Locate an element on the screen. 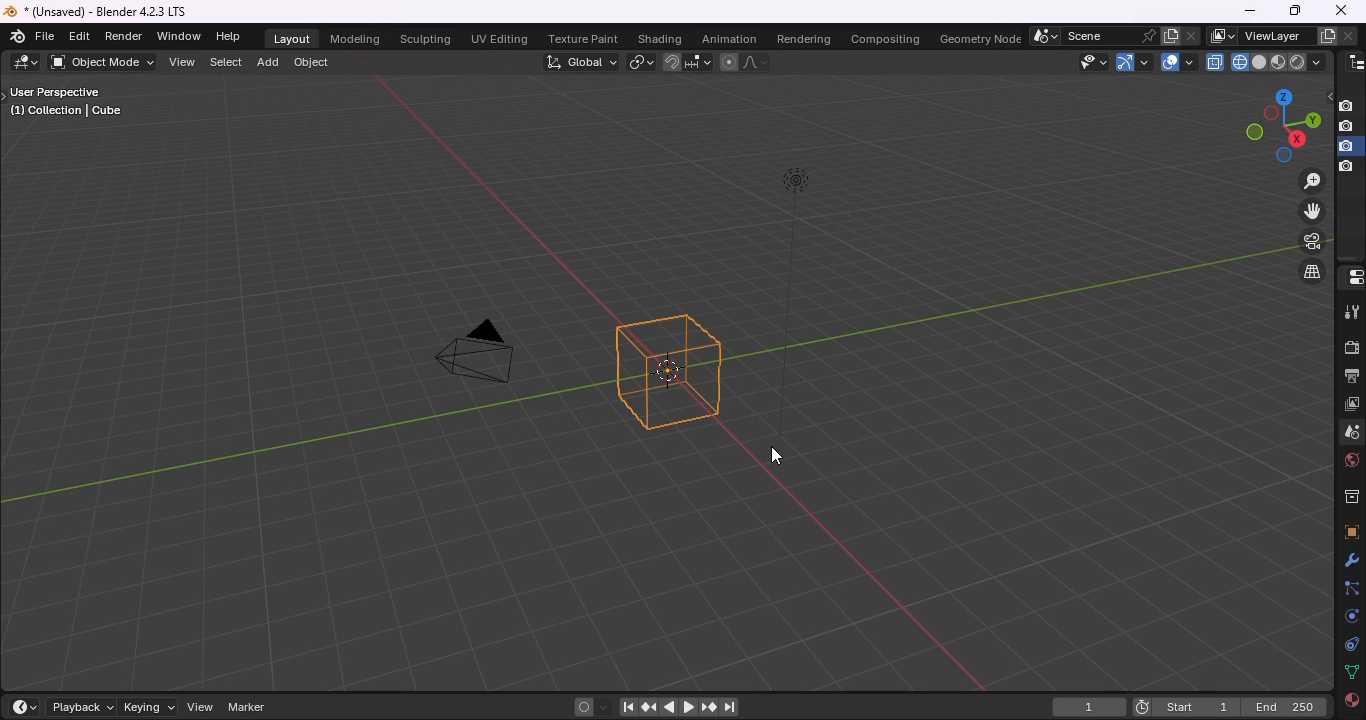  cursor is located at coordinates (779, 456).